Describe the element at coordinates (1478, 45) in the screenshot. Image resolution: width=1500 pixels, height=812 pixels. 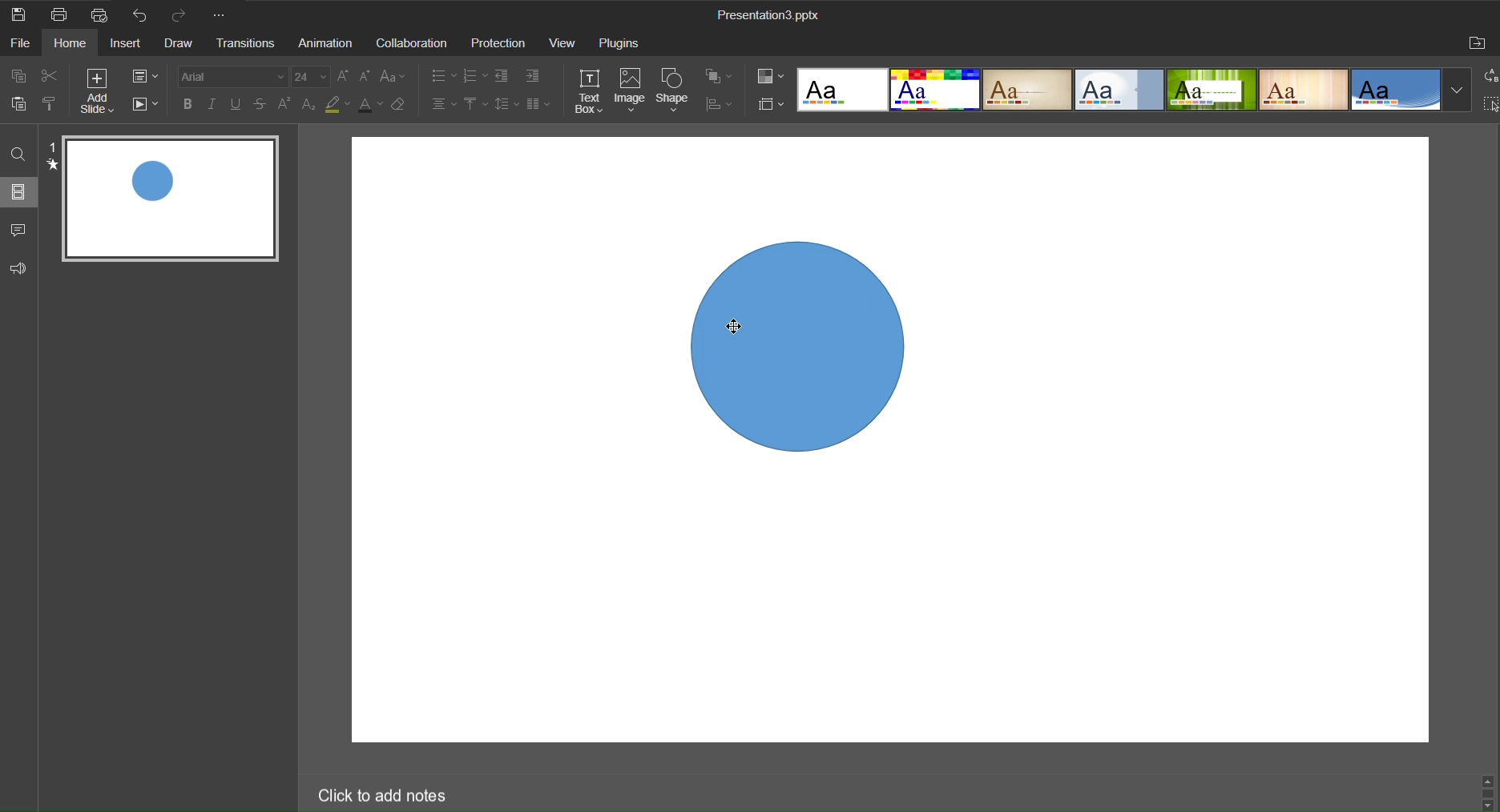
I see `Open File Location` at that location.